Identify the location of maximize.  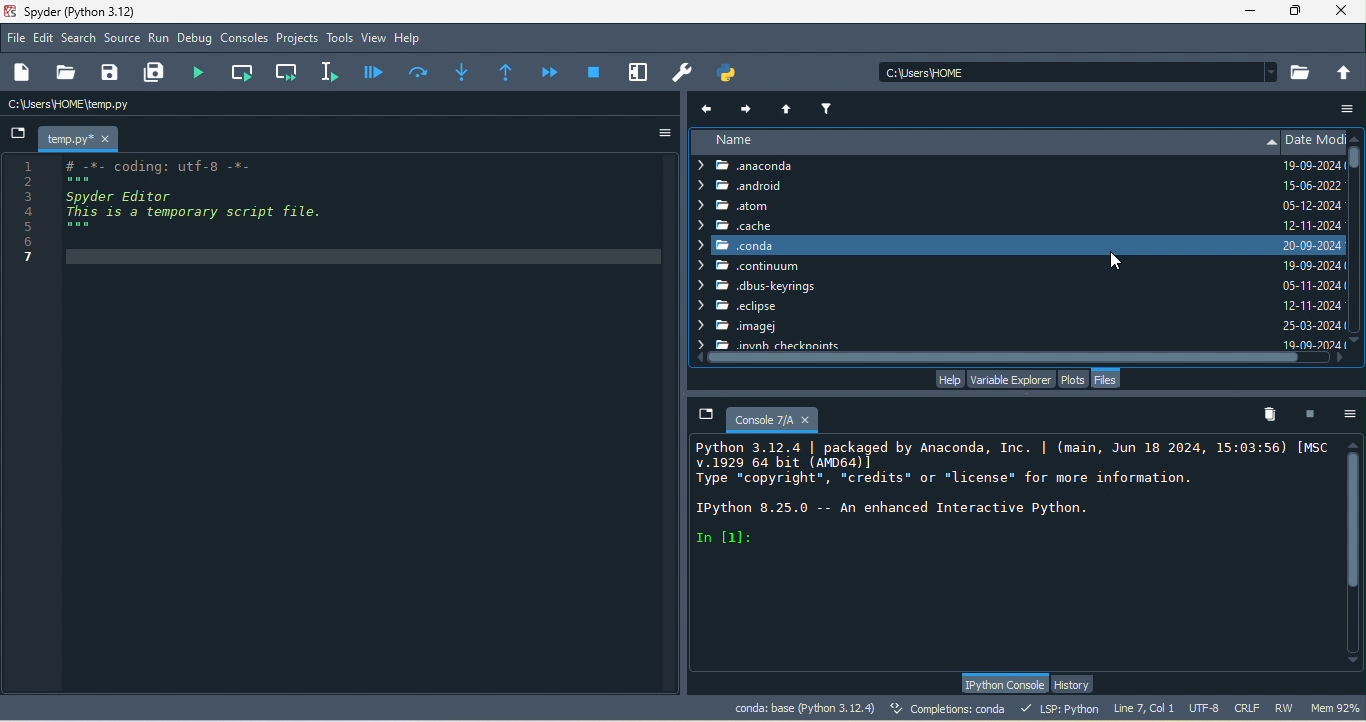
(1297, 11).